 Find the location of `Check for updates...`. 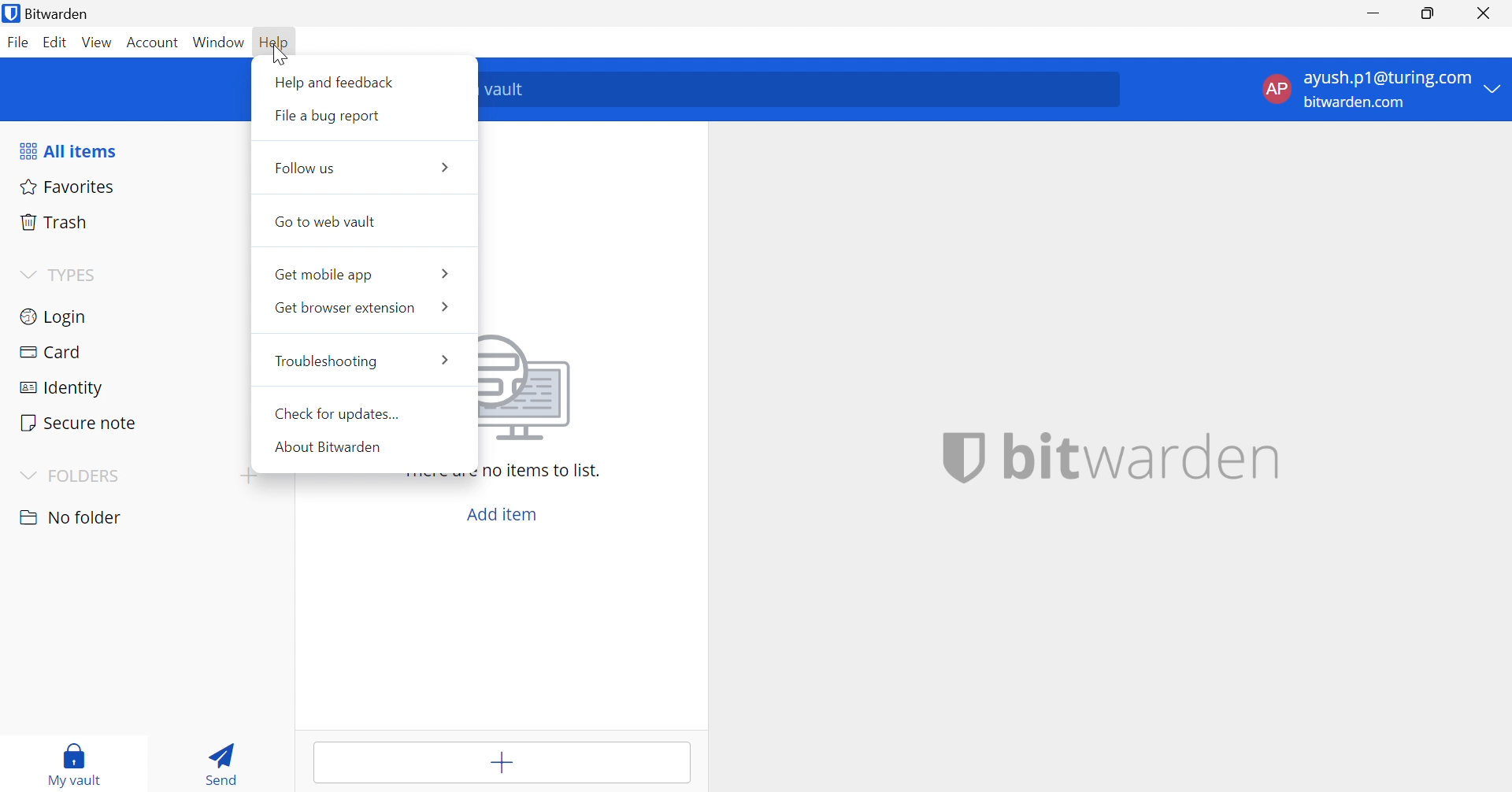

Check for updates... is located at coordinates (338, 414).